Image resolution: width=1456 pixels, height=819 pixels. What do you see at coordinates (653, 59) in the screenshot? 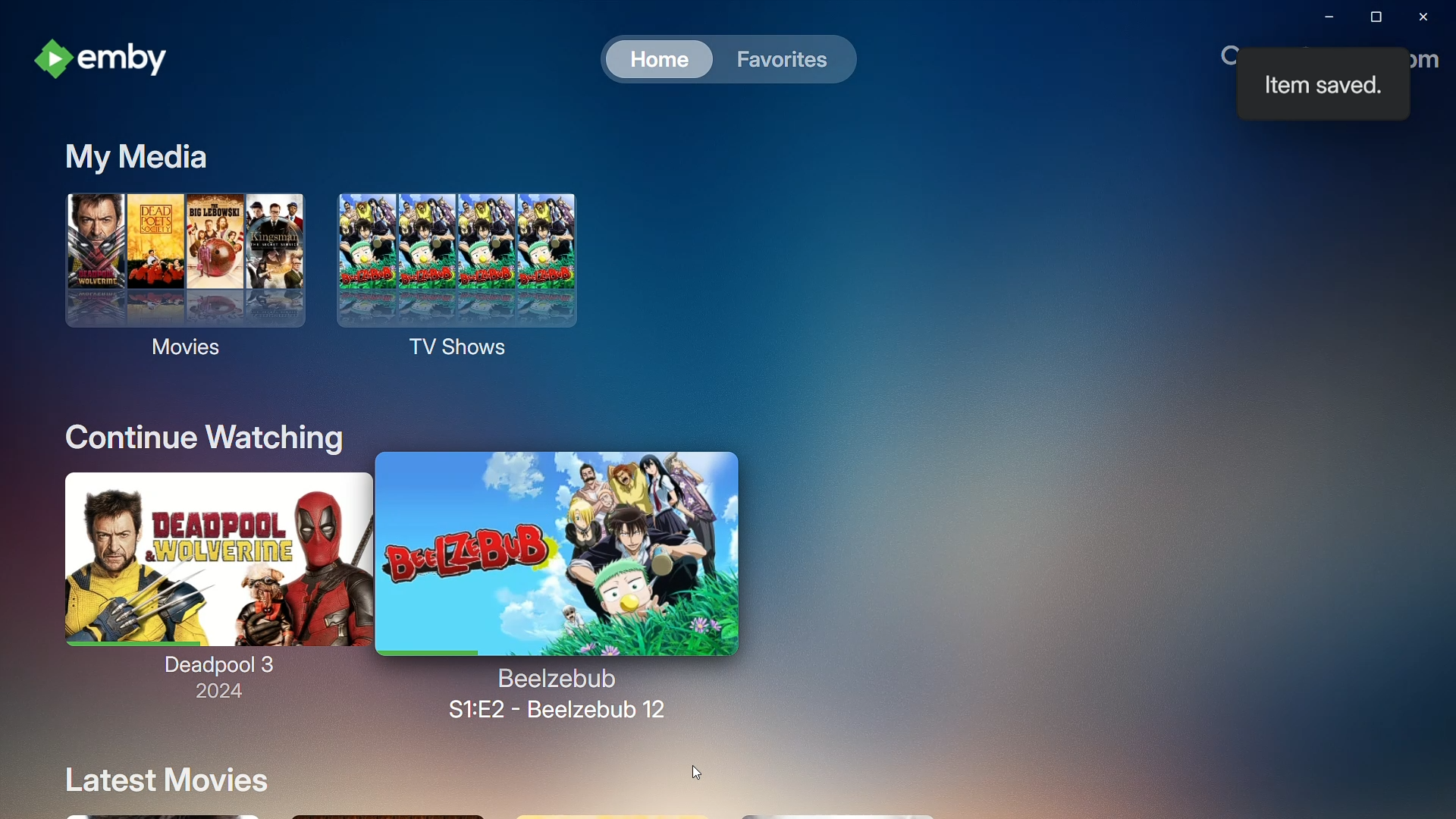
I see `Home` at bounding box center [653, 59].